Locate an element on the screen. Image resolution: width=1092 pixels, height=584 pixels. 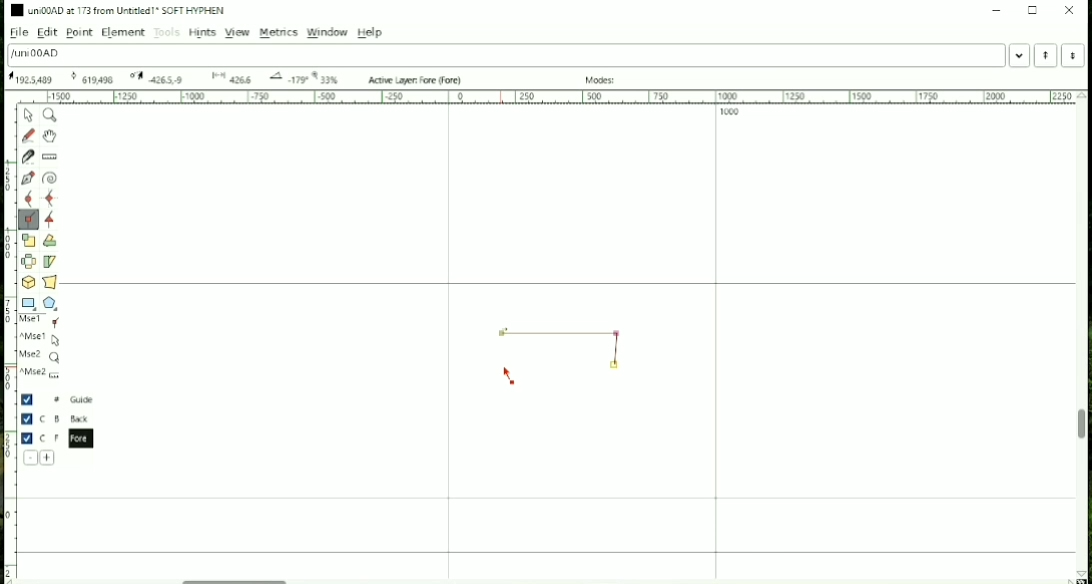
Guide is located at coordinates (59, 400).